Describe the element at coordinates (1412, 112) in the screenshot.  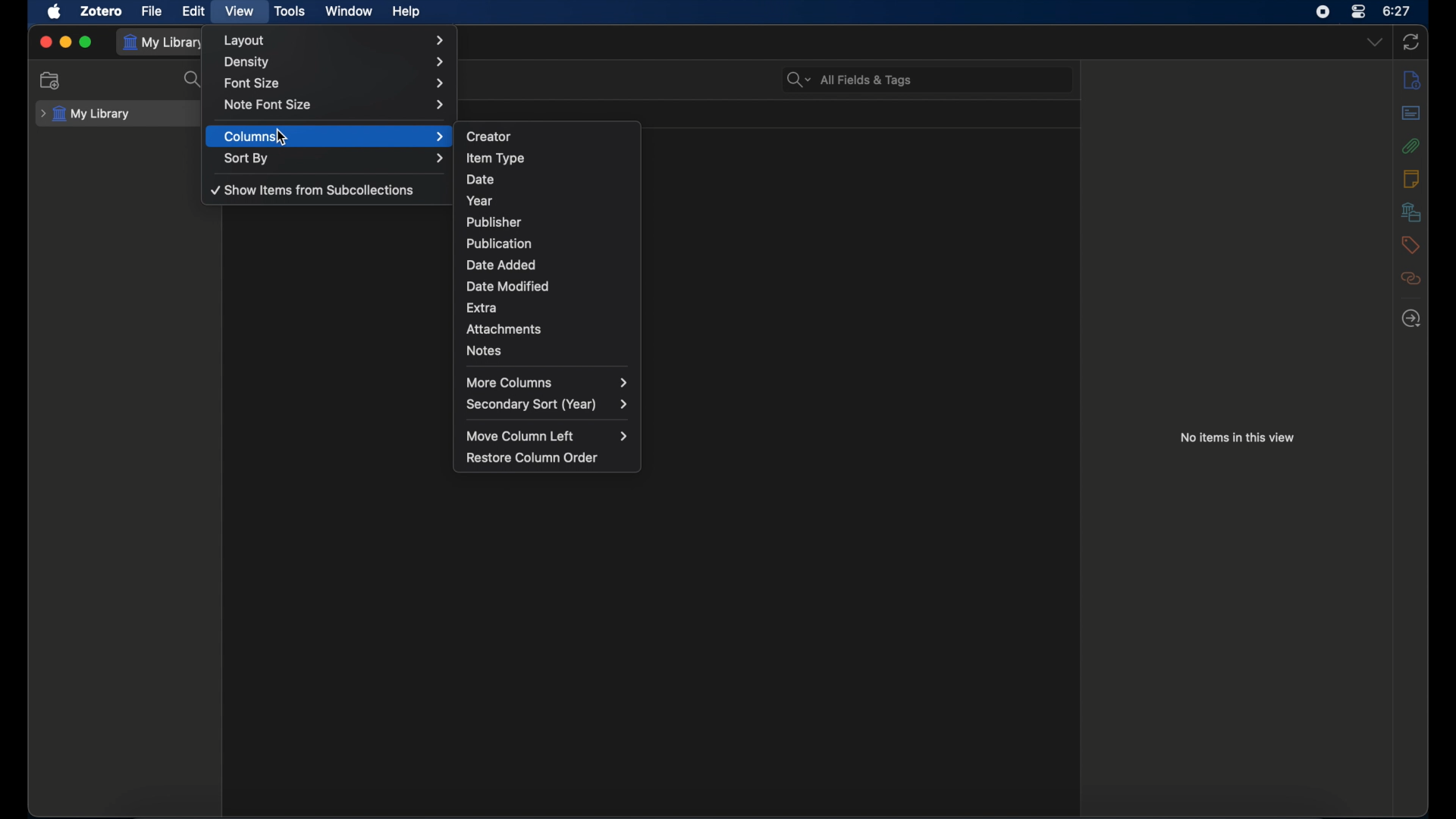
I see `abstract` at that location.